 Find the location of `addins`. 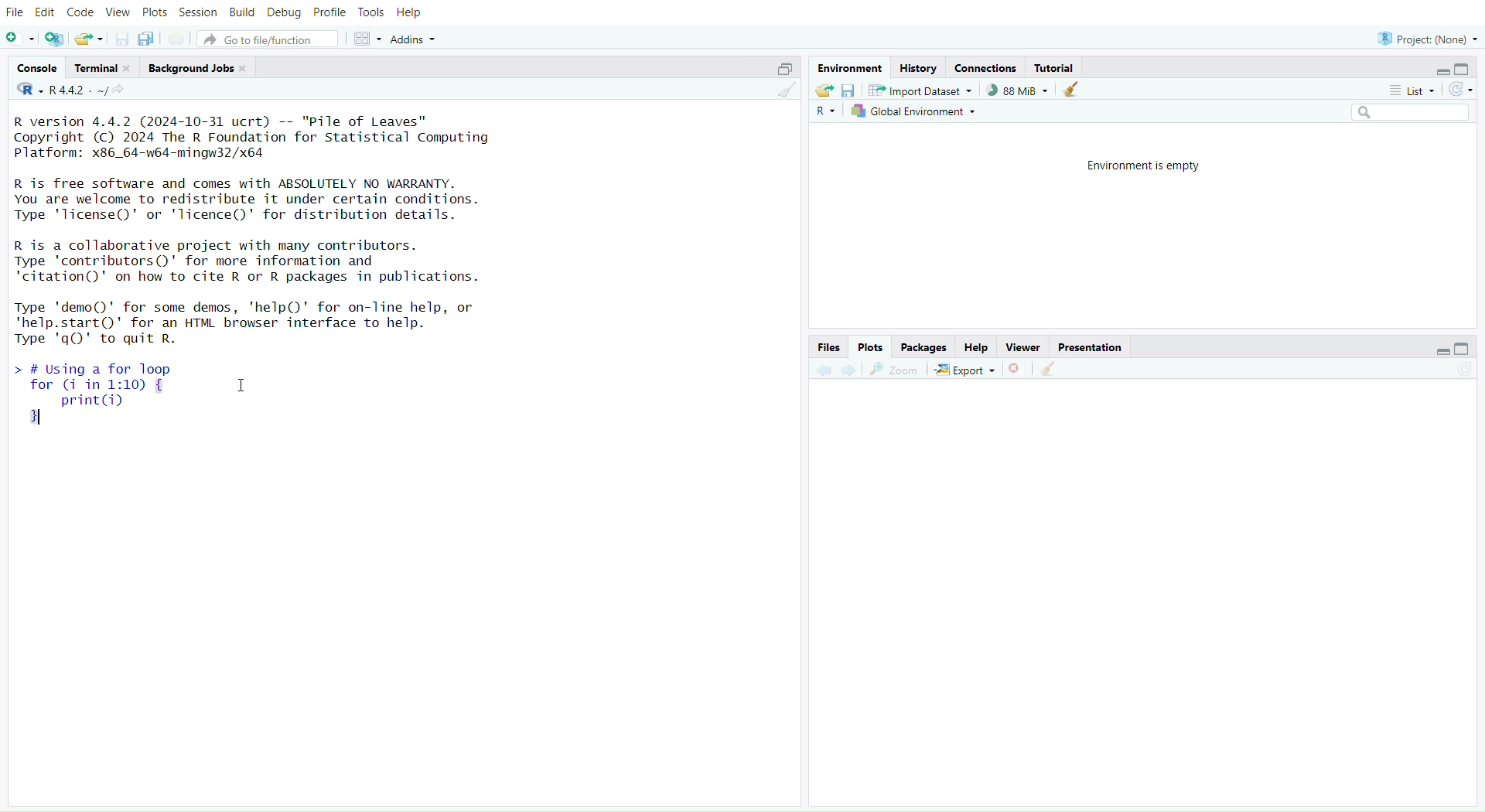

addins is located at coordinates (415, 39).